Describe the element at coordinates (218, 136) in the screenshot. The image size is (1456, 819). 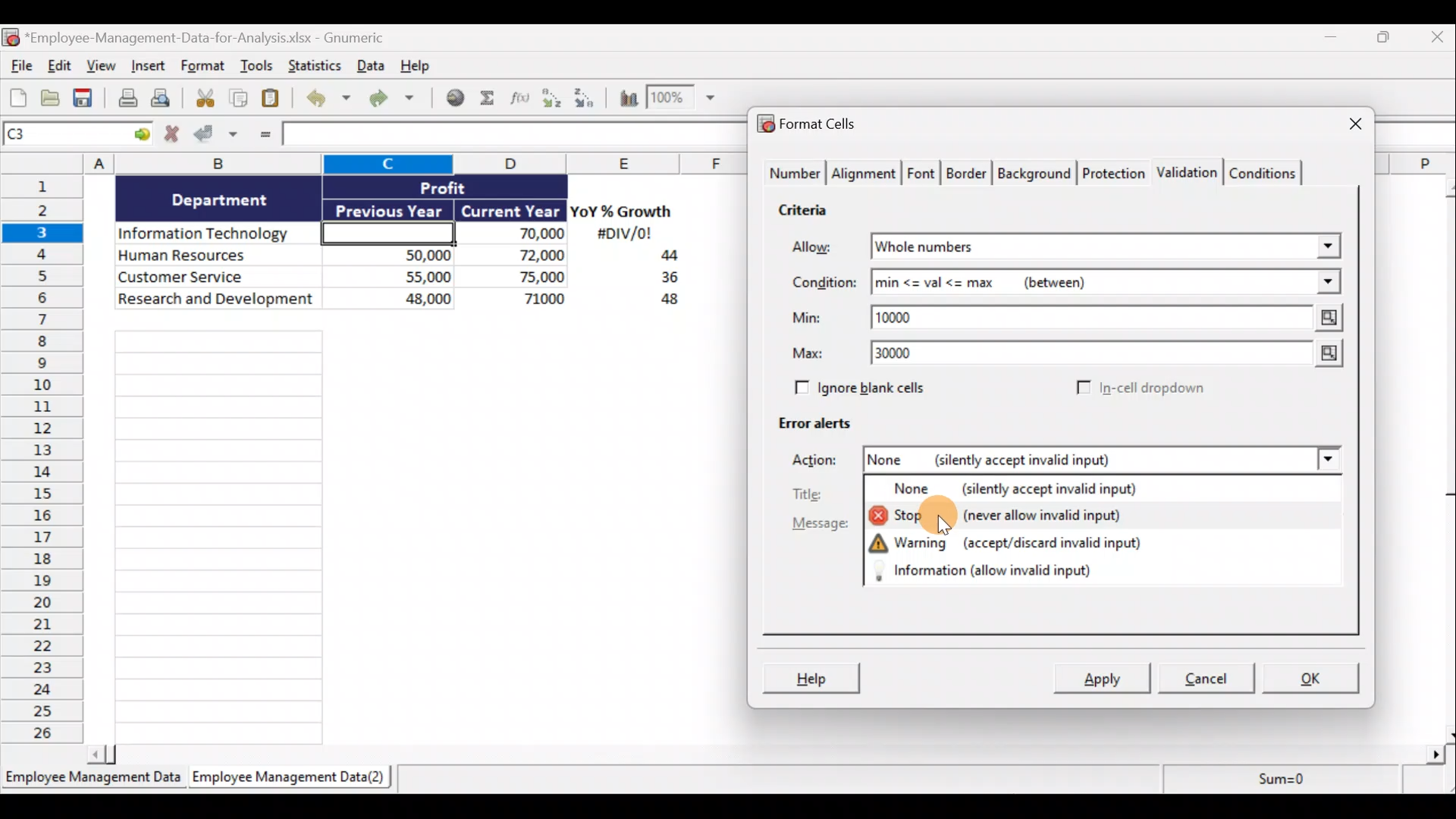
I see `Accept changes` at that location.